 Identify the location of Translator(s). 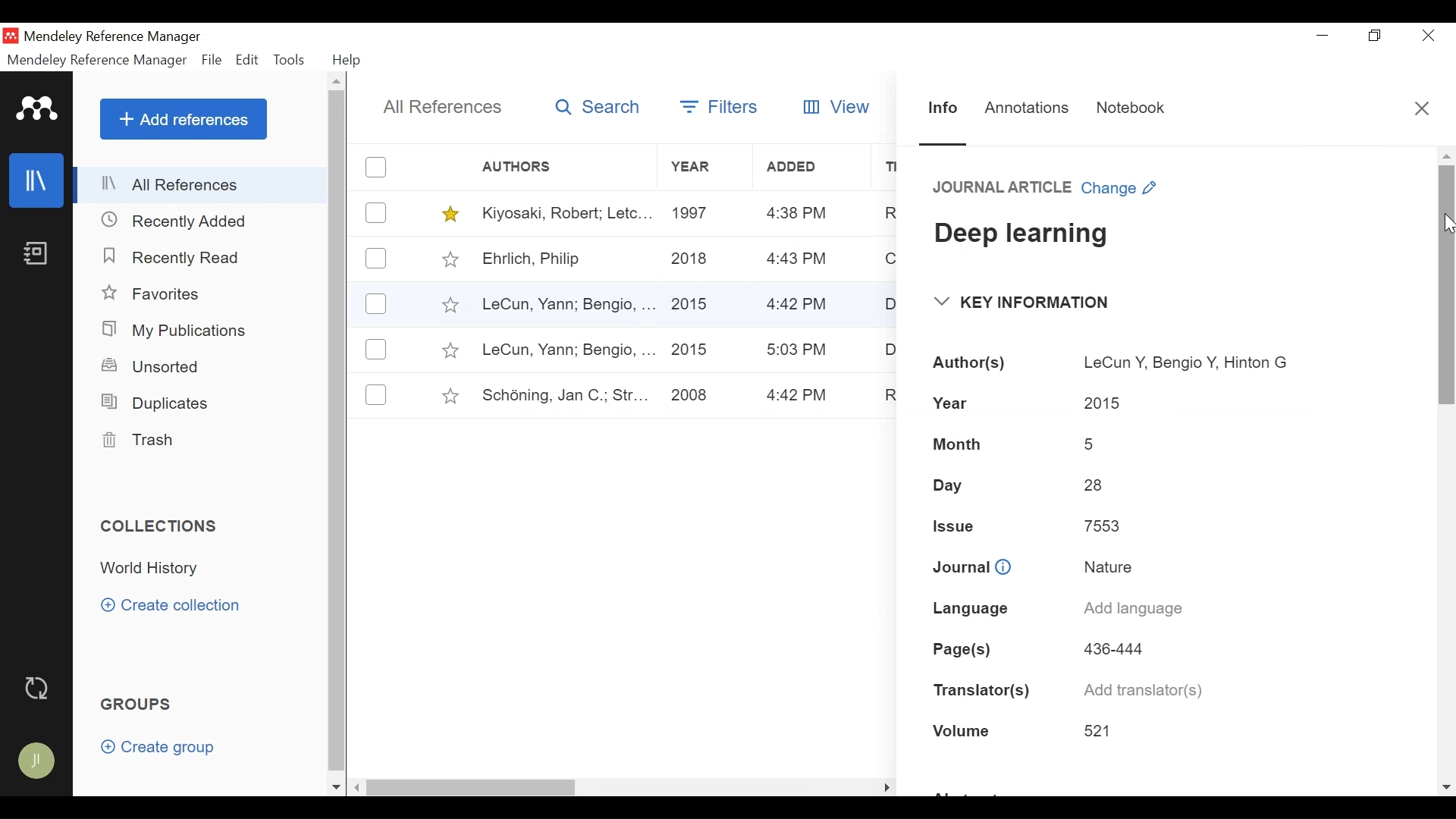
(981, 688).